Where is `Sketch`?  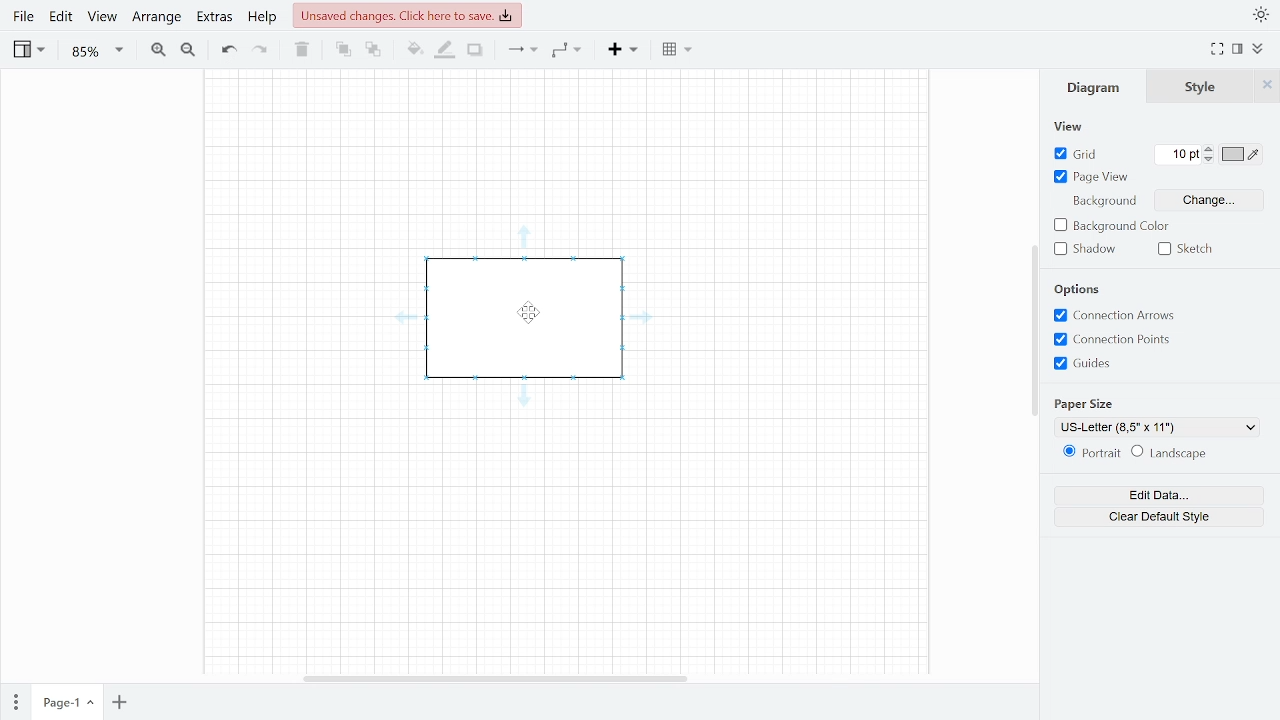
Sketch is located at coordinates (1185, 250).